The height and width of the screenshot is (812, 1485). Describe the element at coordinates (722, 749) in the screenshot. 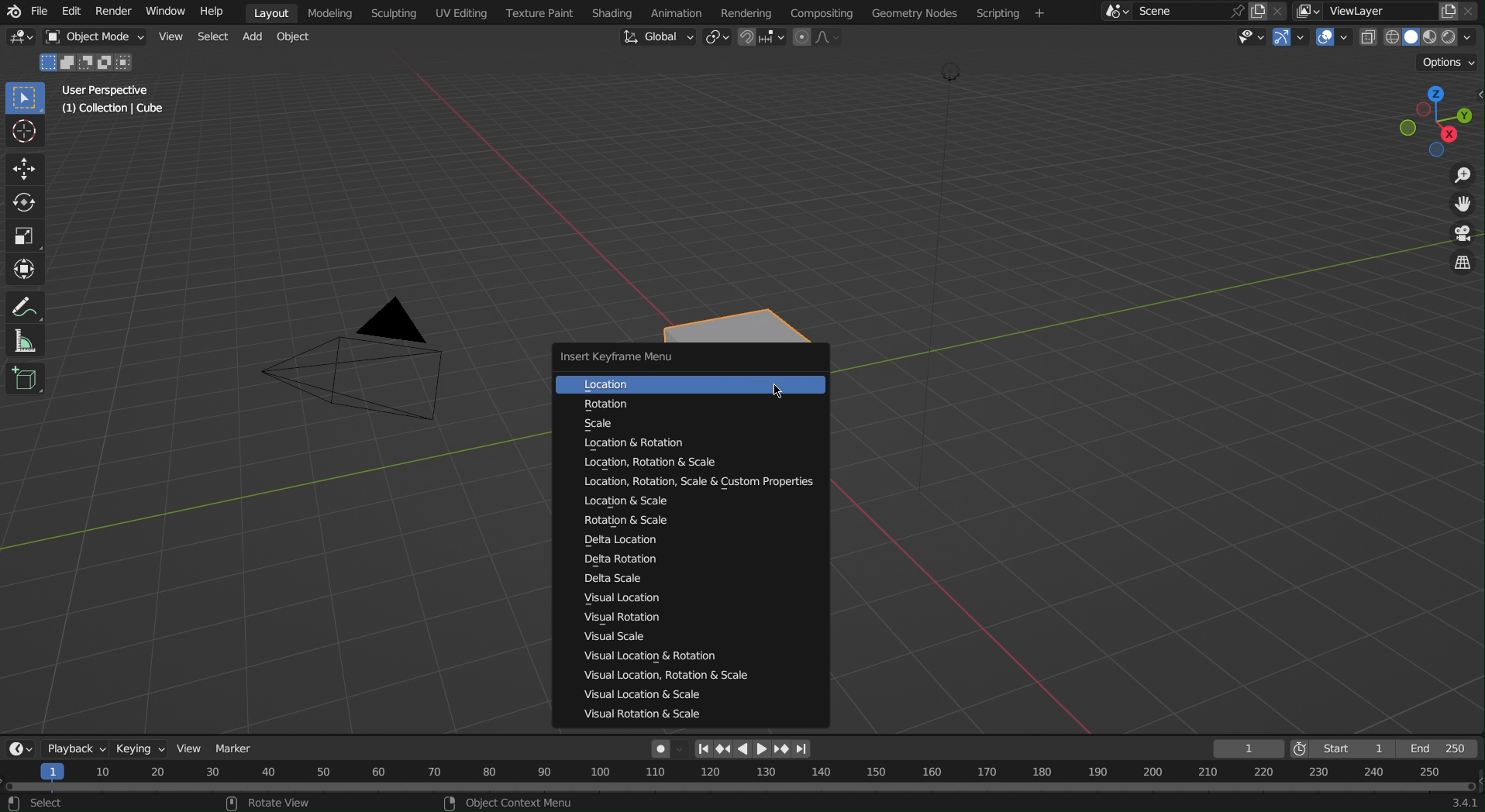

I see `Previous` at that location.